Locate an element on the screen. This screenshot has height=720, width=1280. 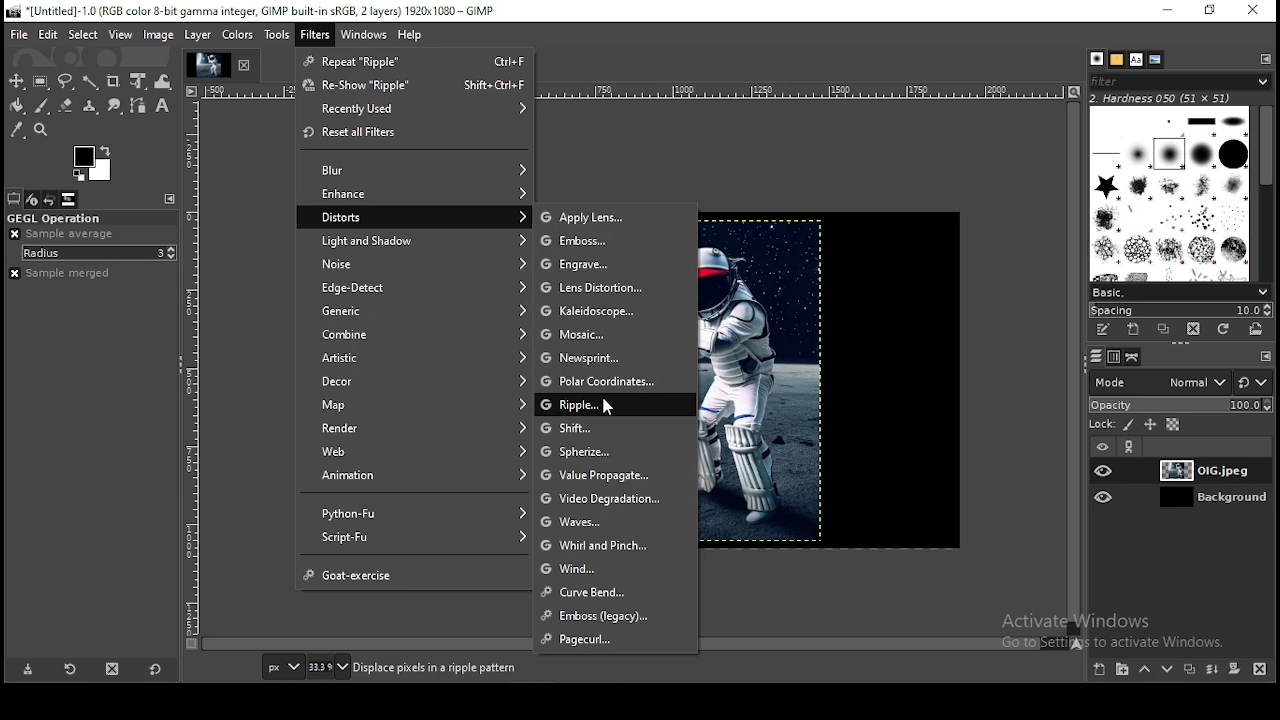
curve bend is located at coordinates (601, 592).